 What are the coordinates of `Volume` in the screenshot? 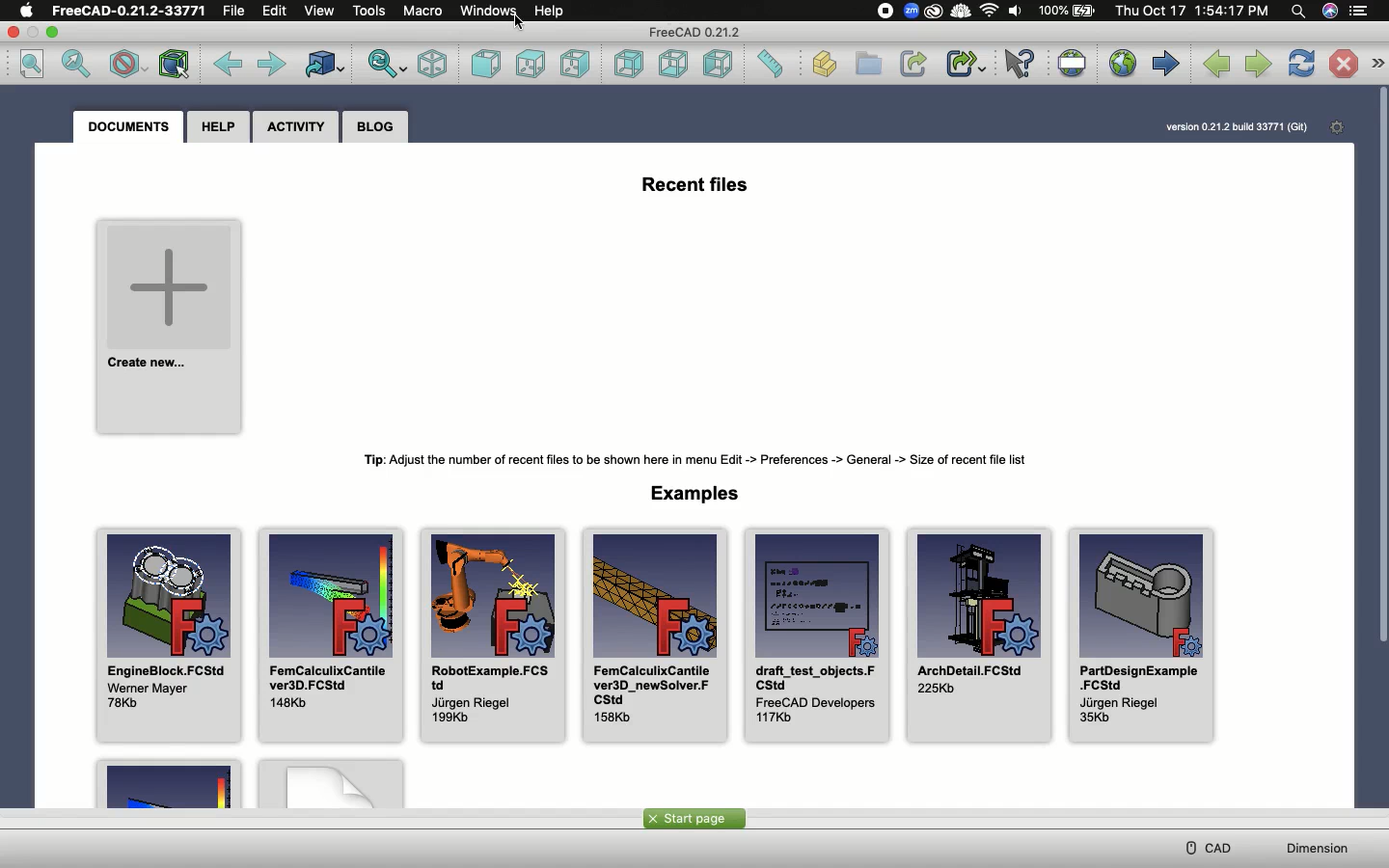 It's located at (1016, 12).